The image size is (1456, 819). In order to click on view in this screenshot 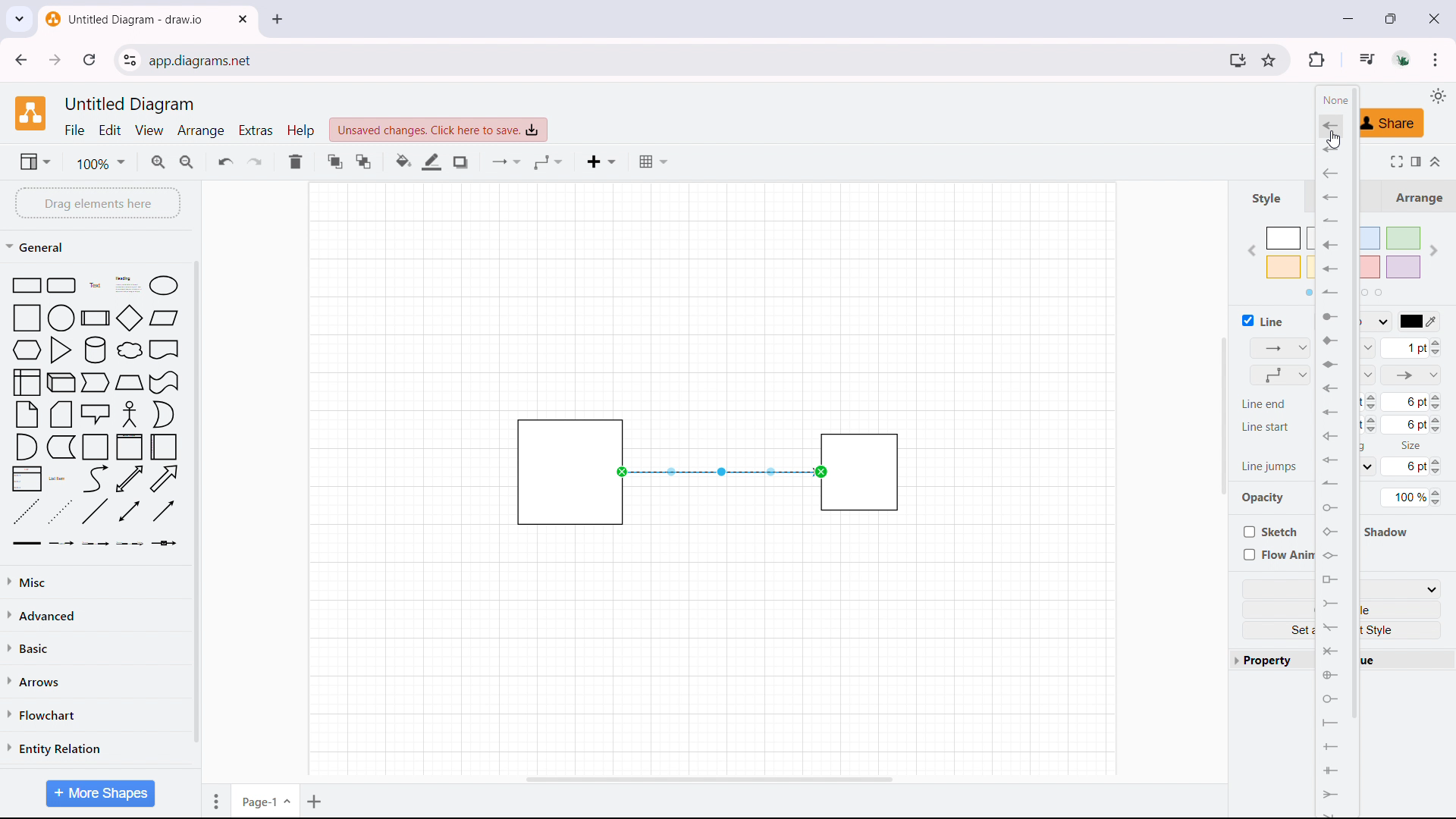, I will do `click(150, 131)`.